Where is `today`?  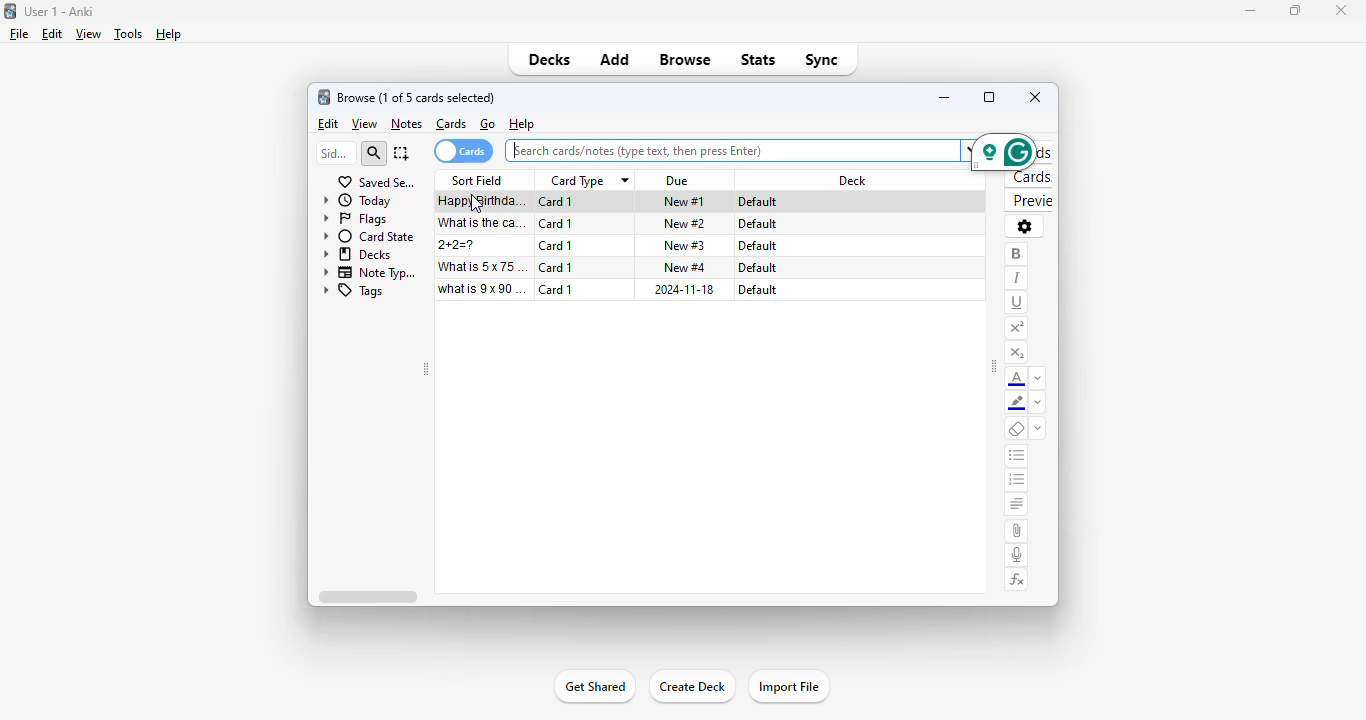 today is located at coordinates (356, 201).